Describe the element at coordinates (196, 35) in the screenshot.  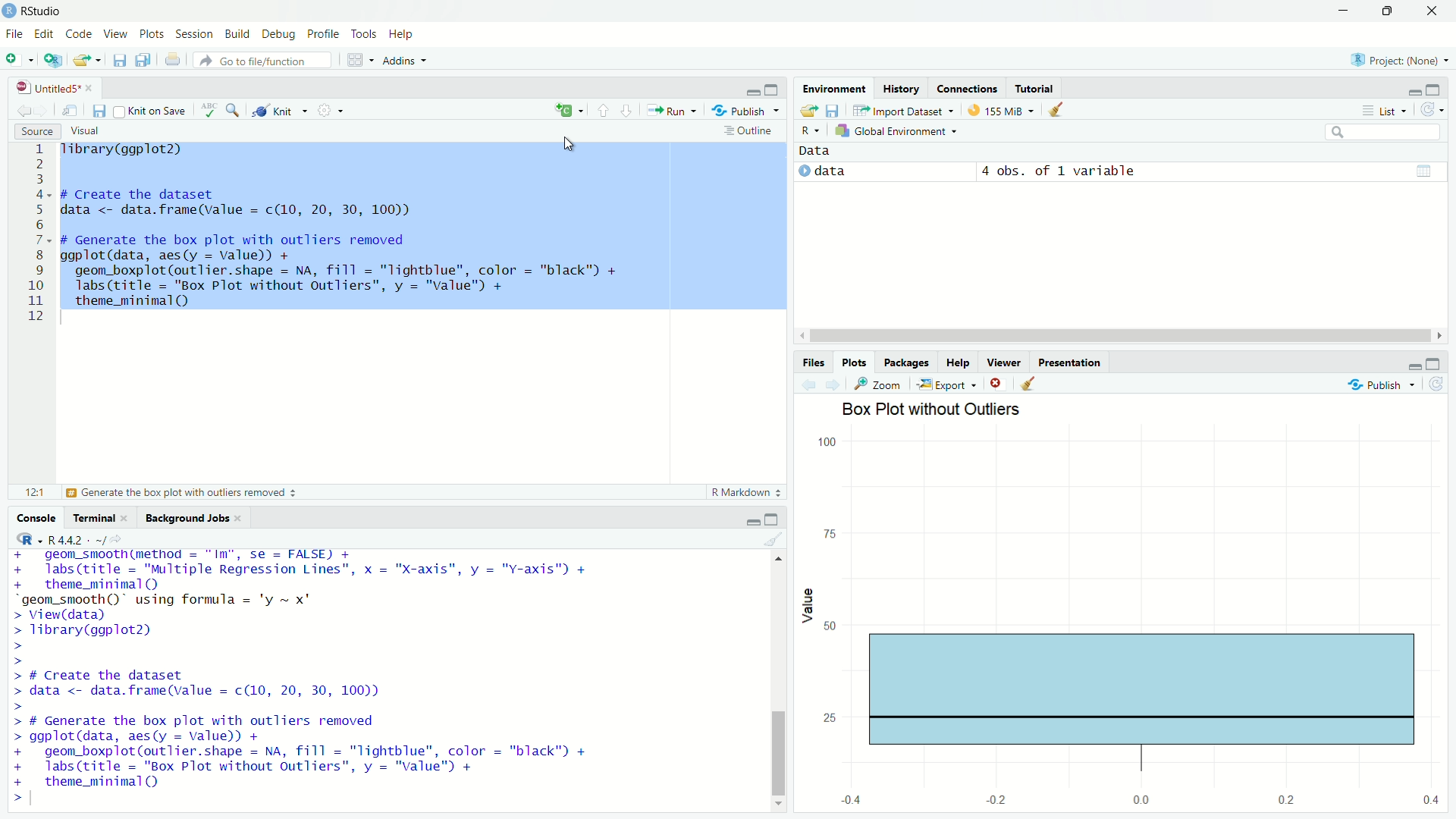
I see `Session` at that location.